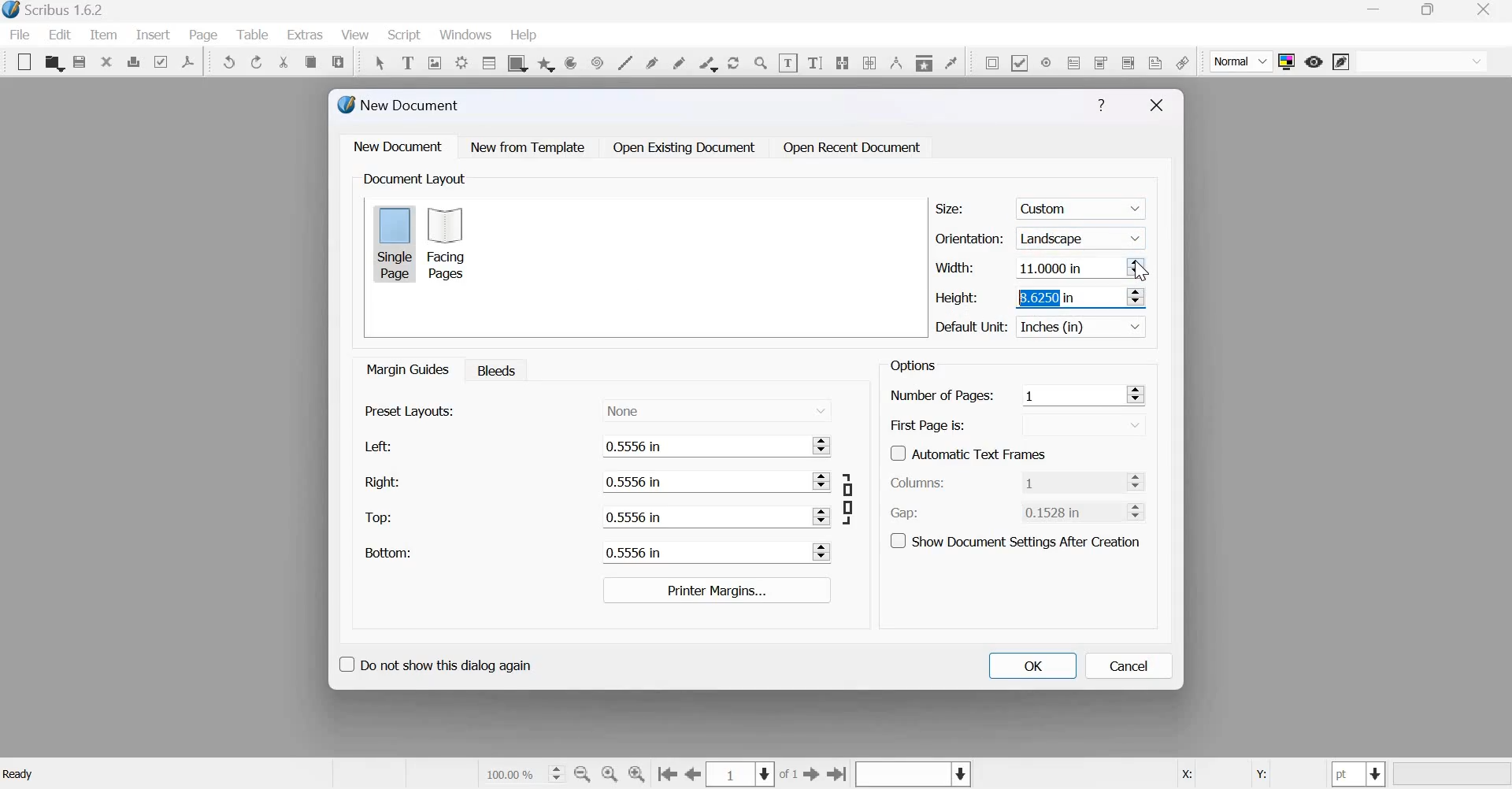  What do you see at coordinates (487, 62) in the screenshot?
I see `table` at bounding box center [487, 62].